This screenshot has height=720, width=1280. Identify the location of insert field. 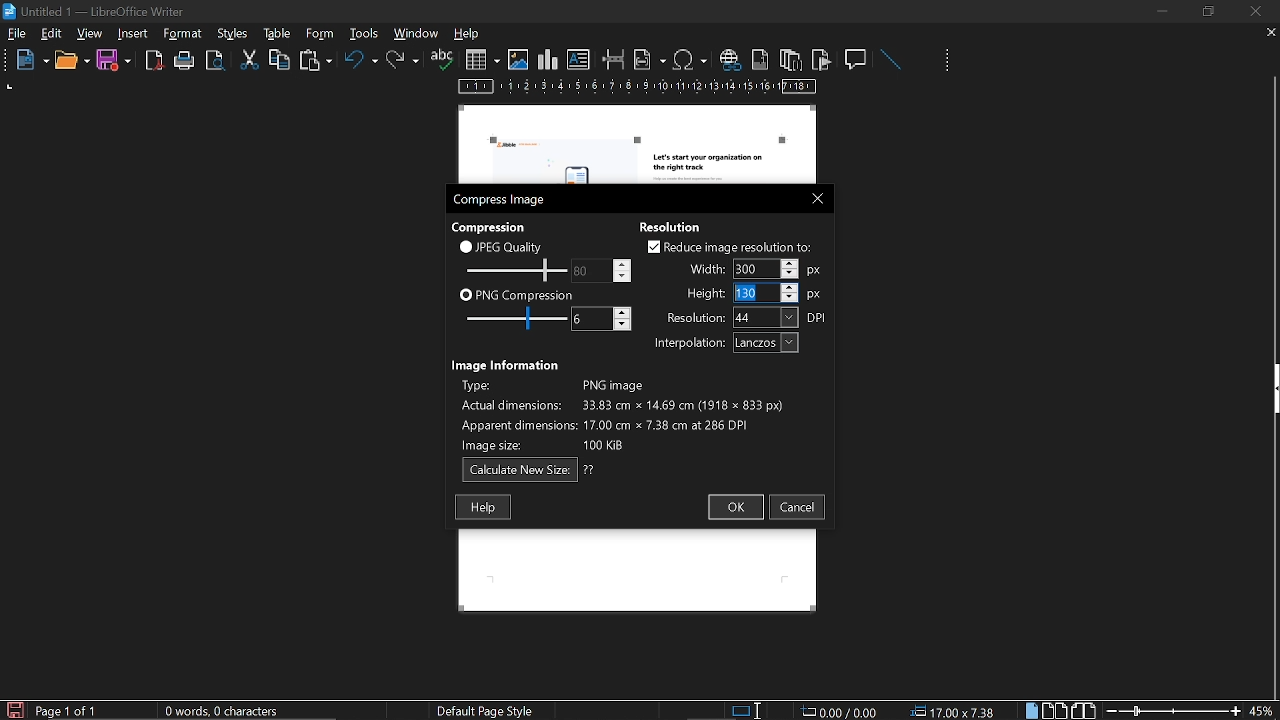
(650, 59).